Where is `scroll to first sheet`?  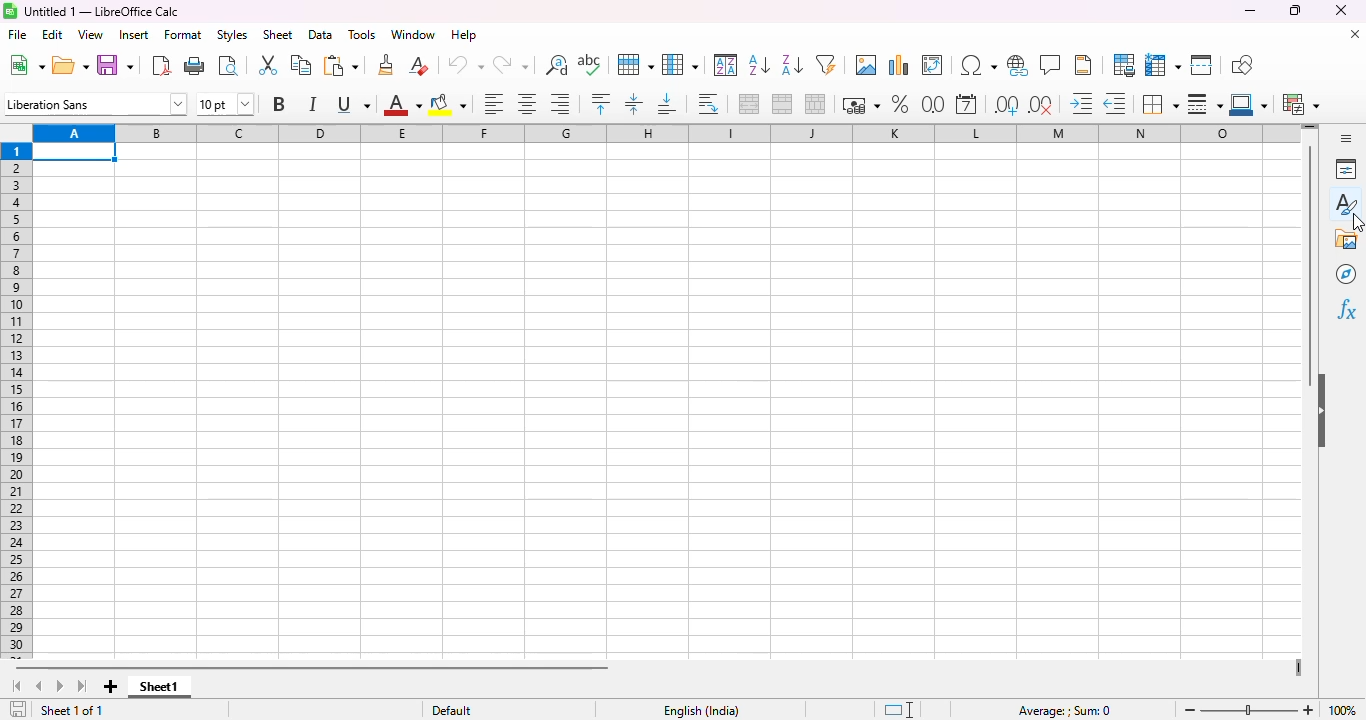 scroll to first sheet is located at coordinates (15, 687).